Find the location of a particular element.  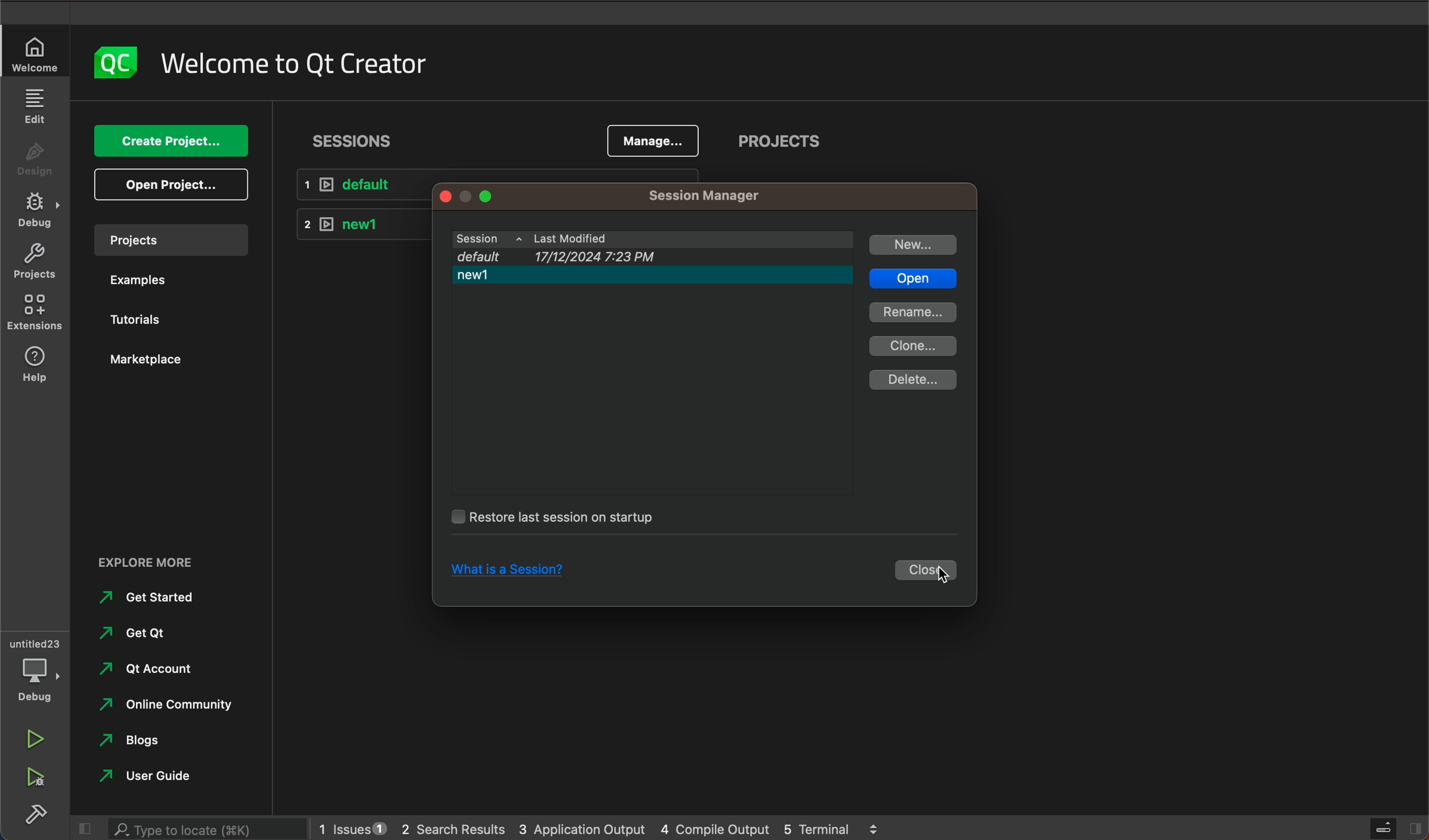

sessions is located at coordinates (354, 141).